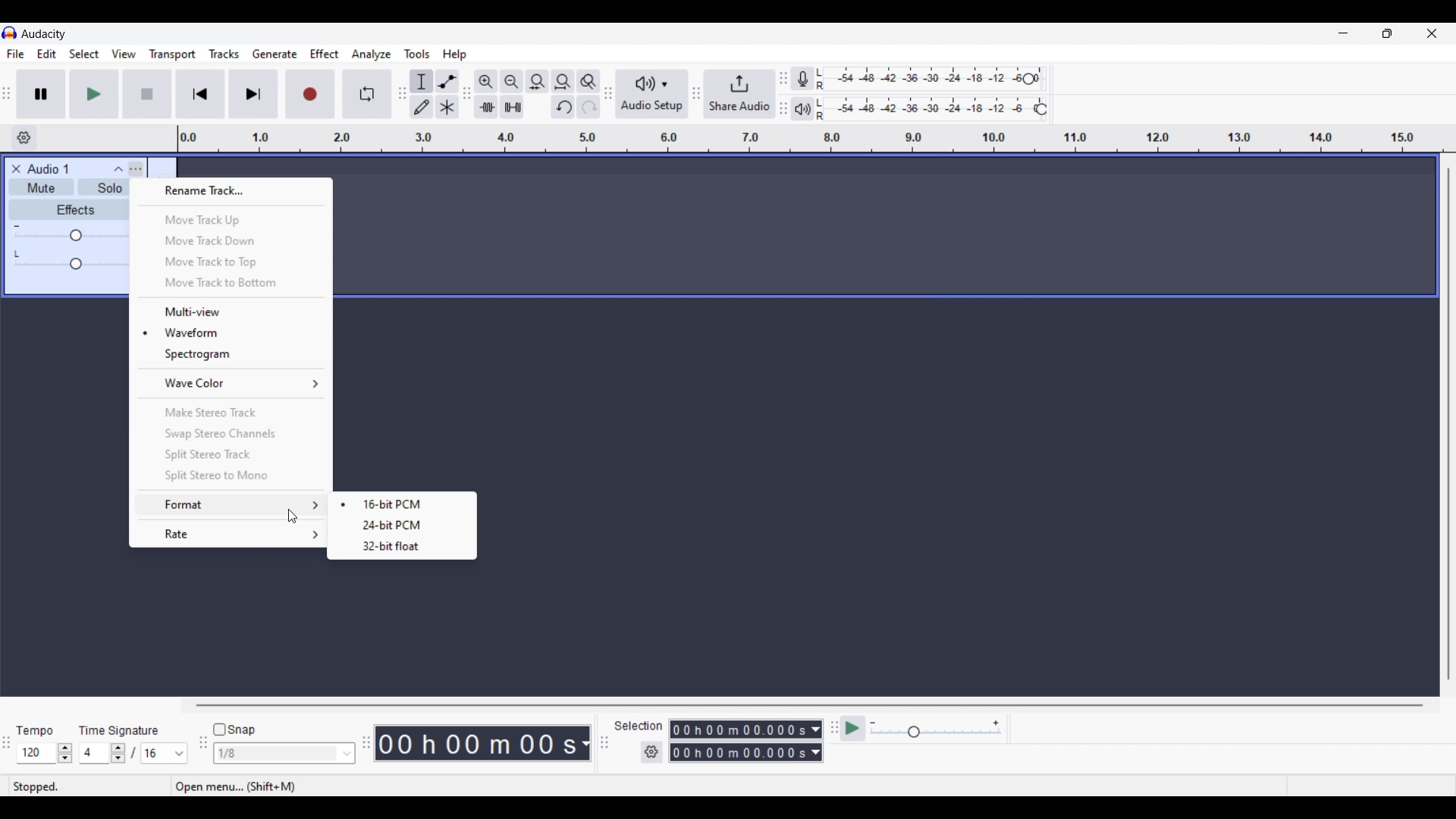 The height and width of the screenshot is (819, 1456). I want to click on Open menu... (Shift+M) (Esc to cancel), so click(284, 787).